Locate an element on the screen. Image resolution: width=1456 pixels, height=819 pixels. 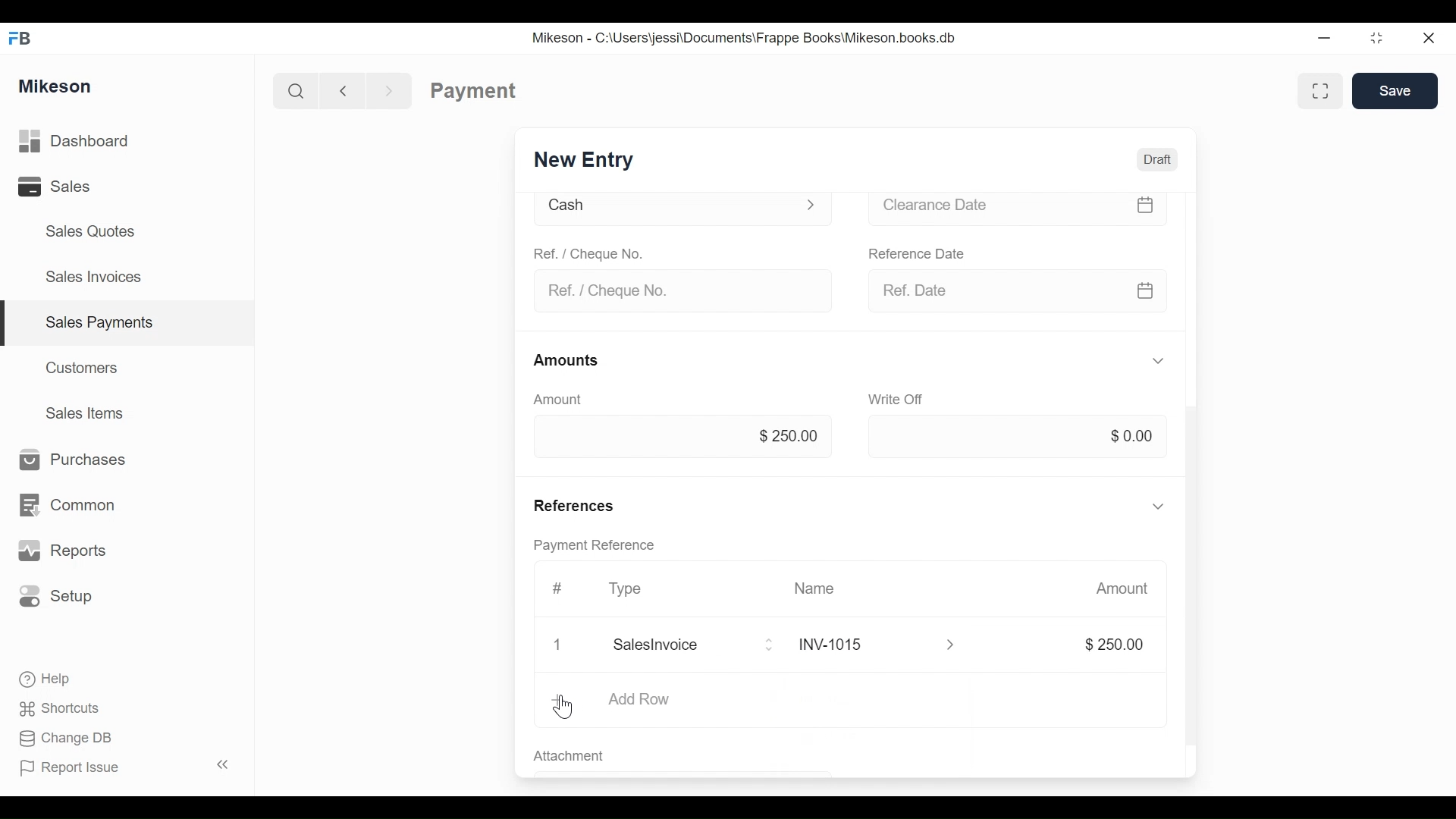
Help is located at coordinates (56, 679).